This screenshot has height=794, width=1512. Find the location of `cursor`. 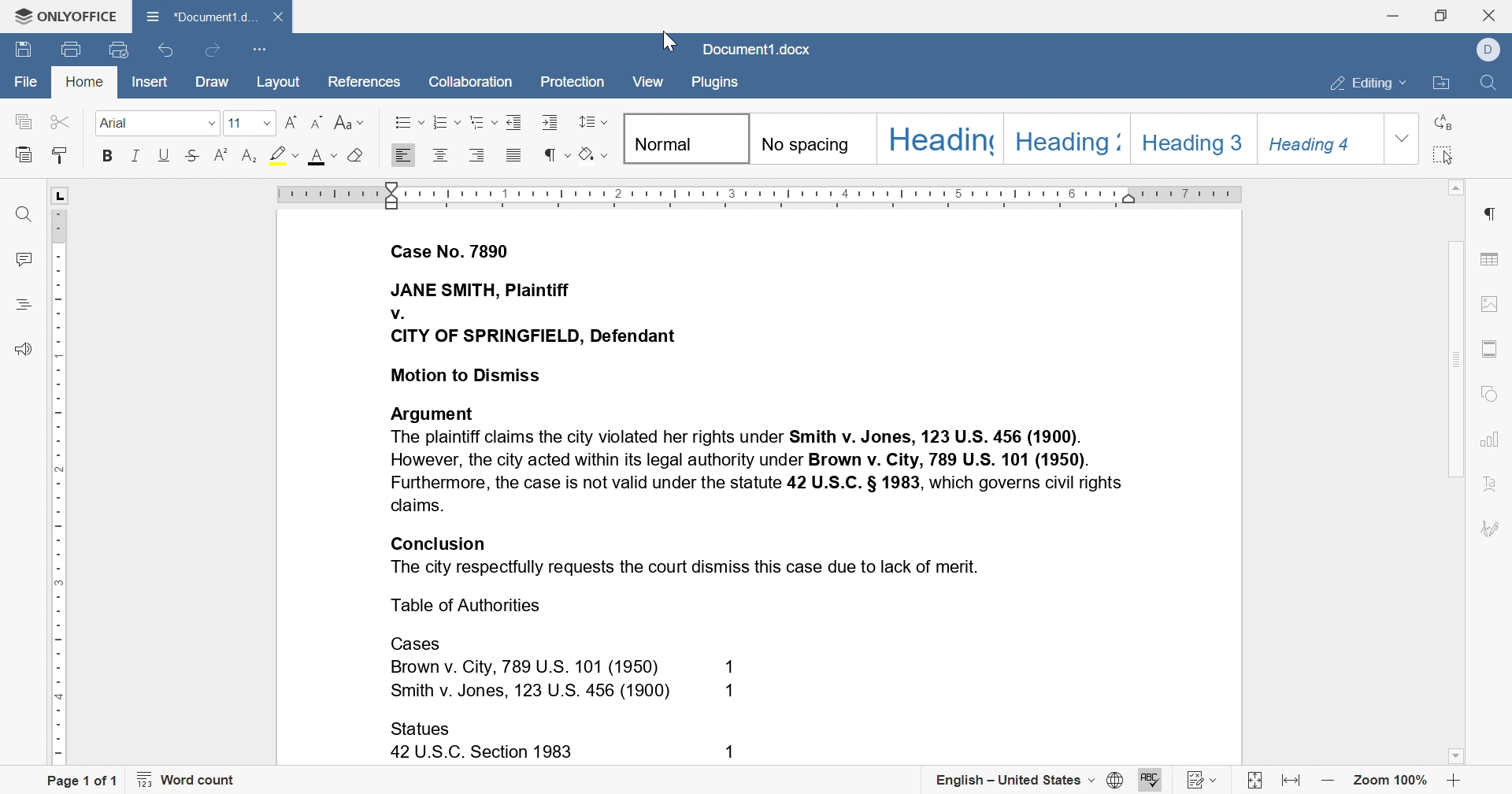

cursor is located at coordinates (667, 39).